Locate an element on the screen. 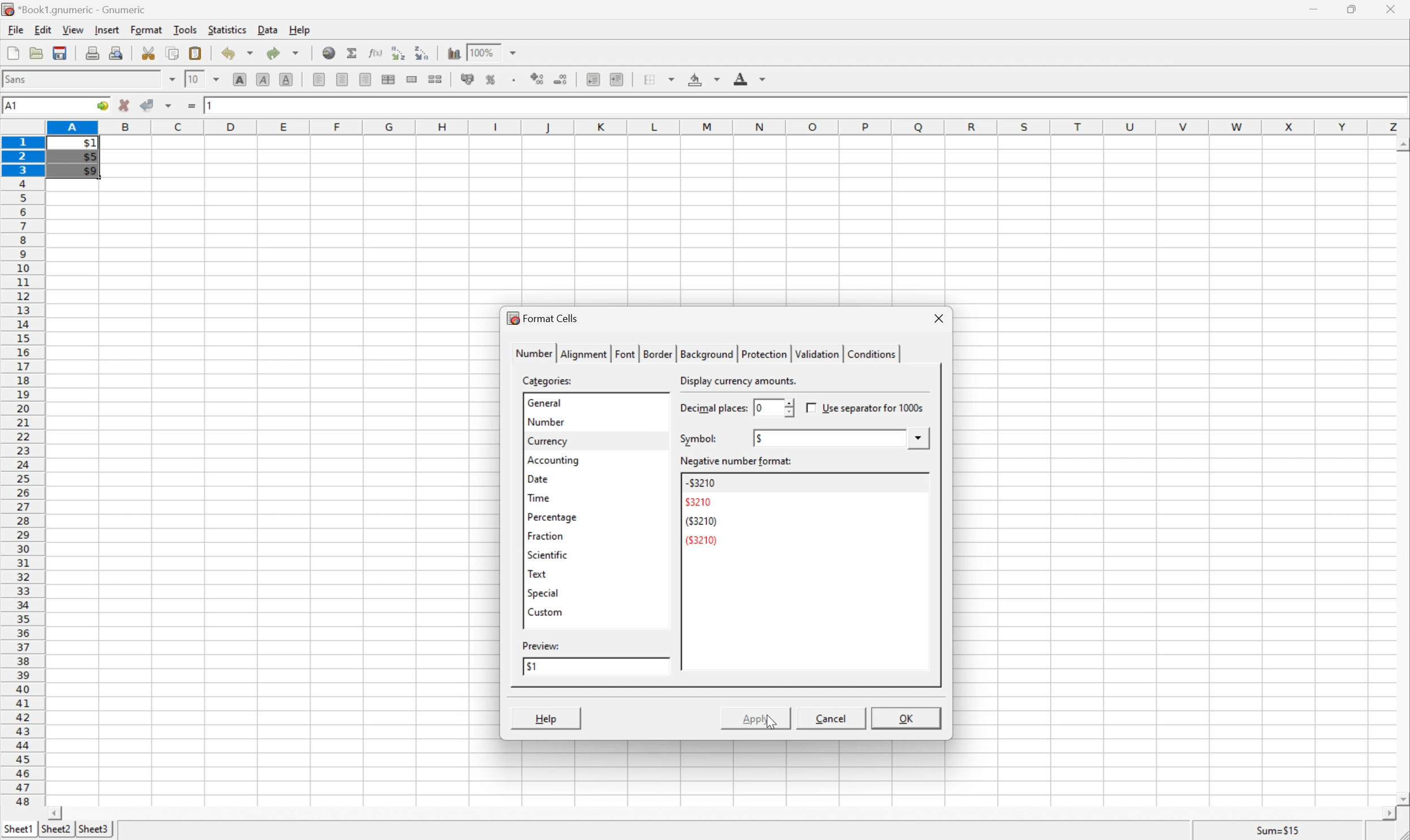 This screenshot has height=840, width=1410. sum in current cell is located at coordinates (354, 53).